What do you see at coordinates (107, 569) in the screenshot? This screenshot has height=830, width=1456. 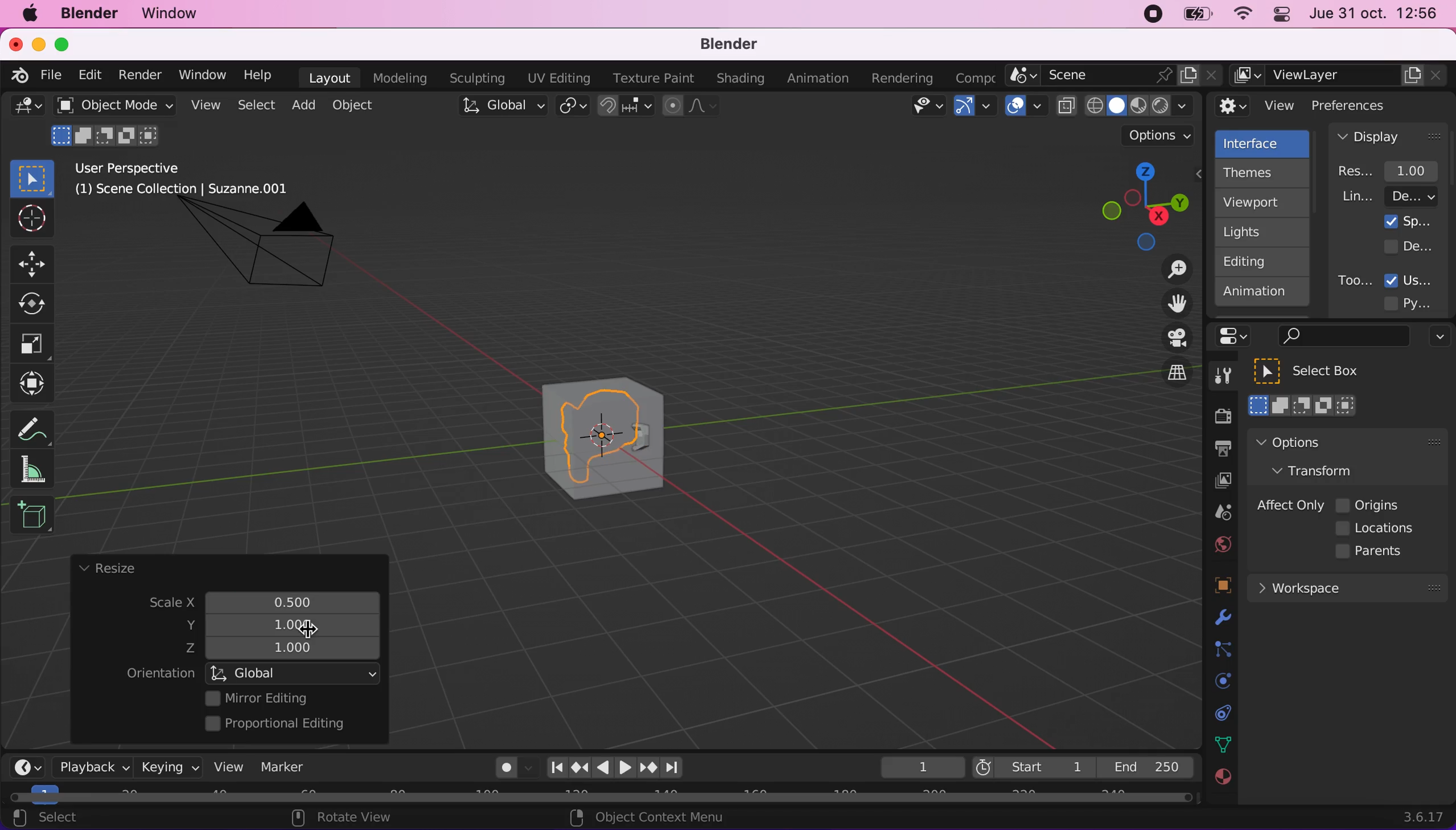 I see `resize` at bounding box center [107, 569].